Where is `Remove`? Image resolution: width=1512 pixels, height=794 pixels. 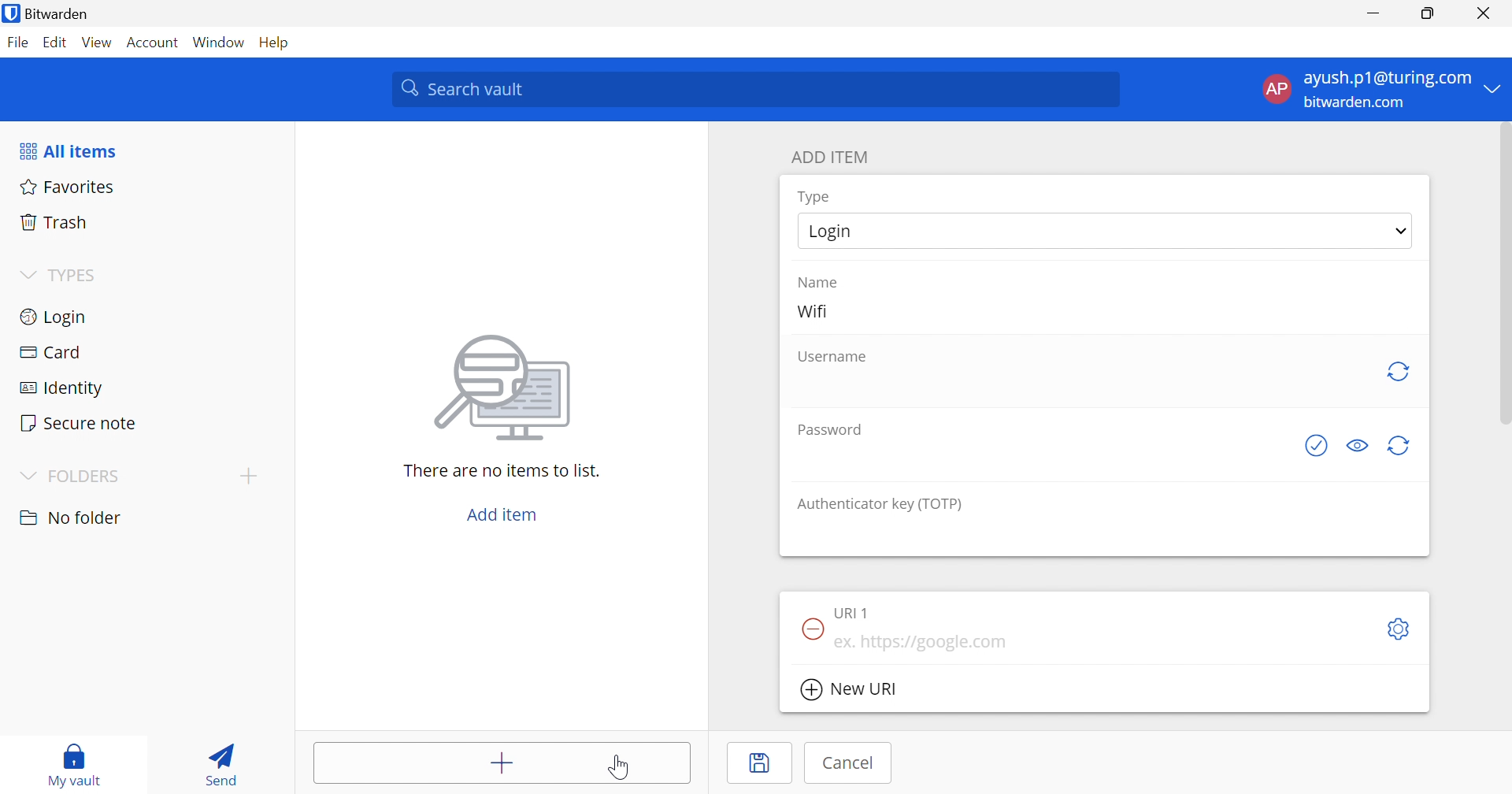
Remove is located at coordinates (811, 629).